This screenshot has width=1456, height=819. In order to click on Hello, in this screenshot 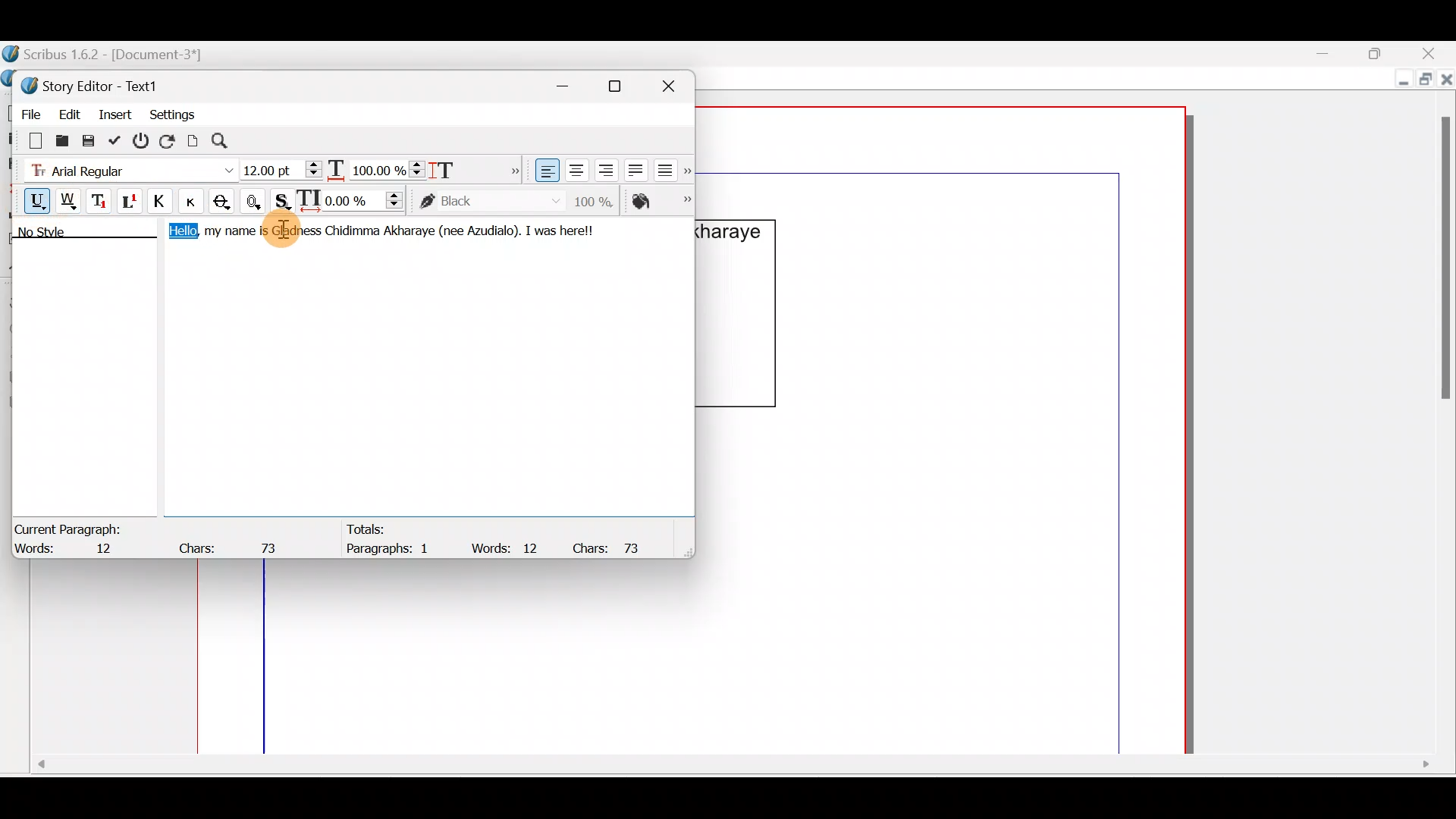, I will do `click(179, 234)`.